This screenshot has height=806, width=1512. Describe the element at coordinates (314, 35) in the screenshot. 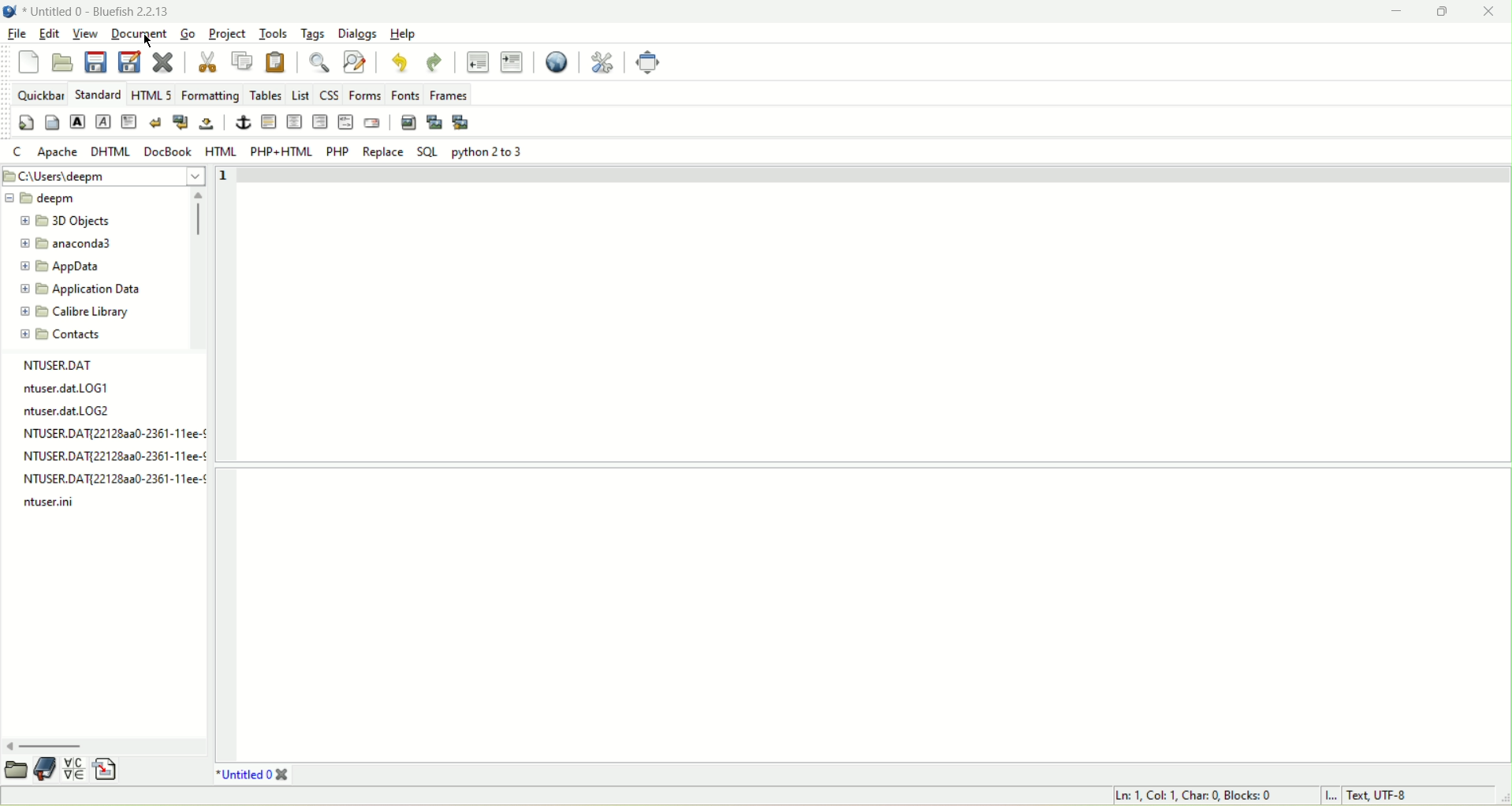

I see `tags` at that location.